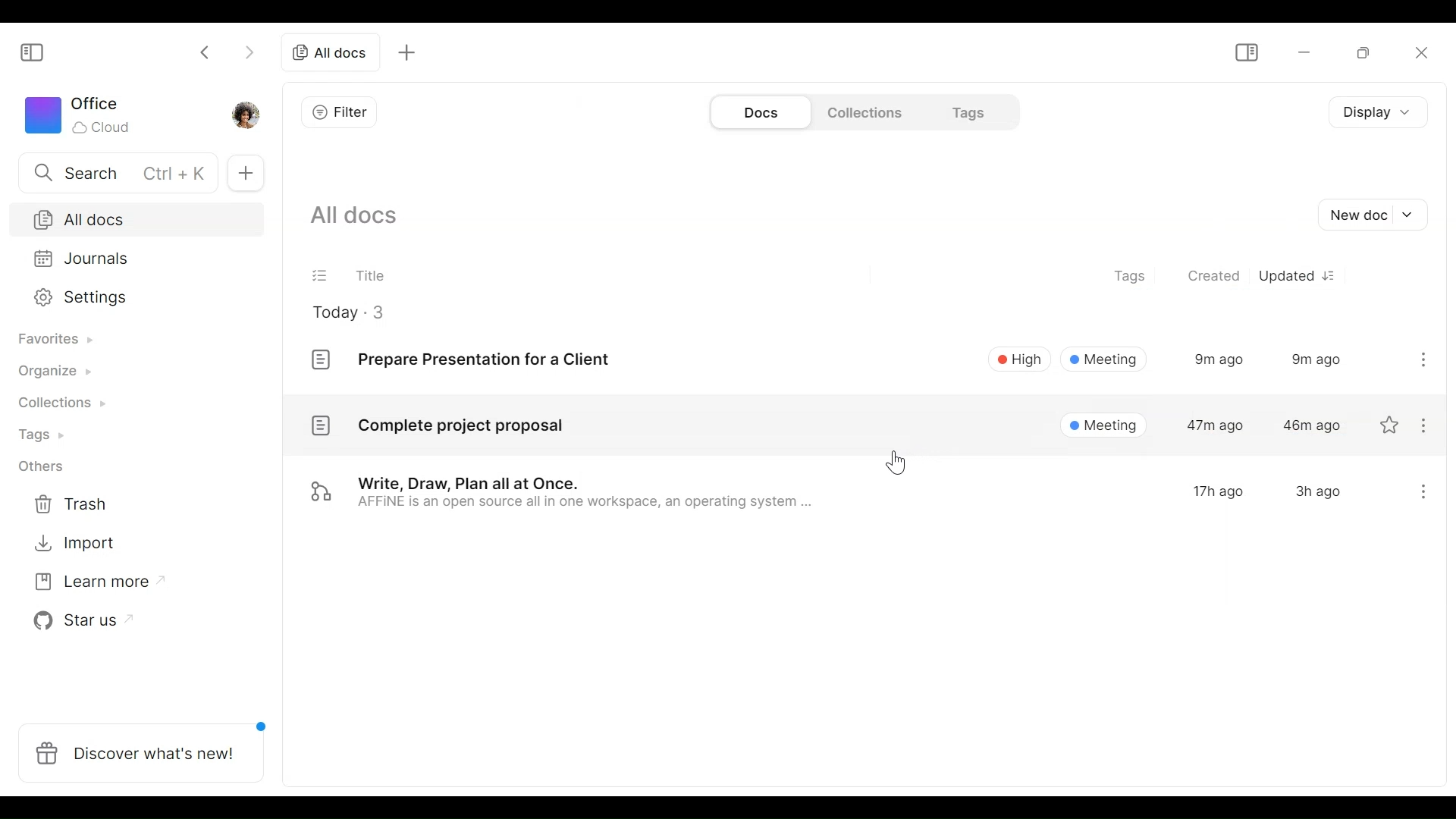 This screenshot has width=1456, height=819. What do you see at coordinates (1282, 274) in the screenshot?
I see `Updated` at bounding box center [1282, 274].